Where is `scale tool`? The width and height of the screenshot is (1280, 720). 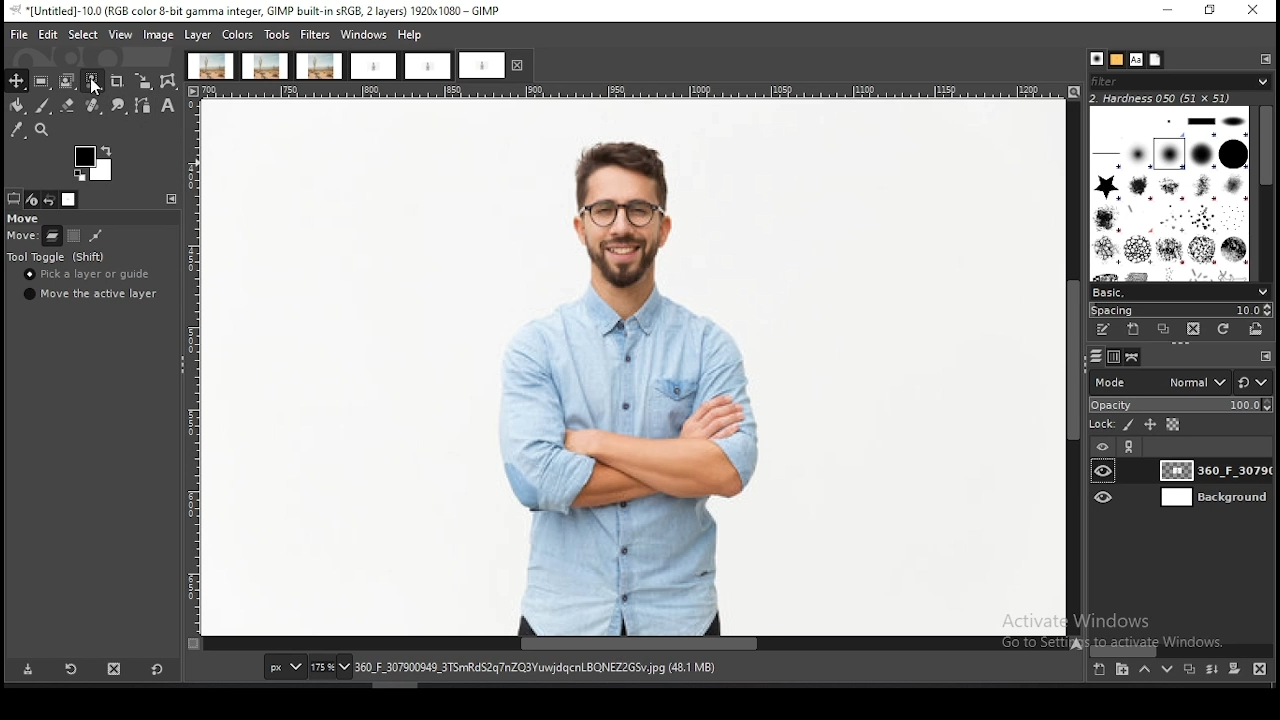 scale tool is located at coordinates (143, 82).